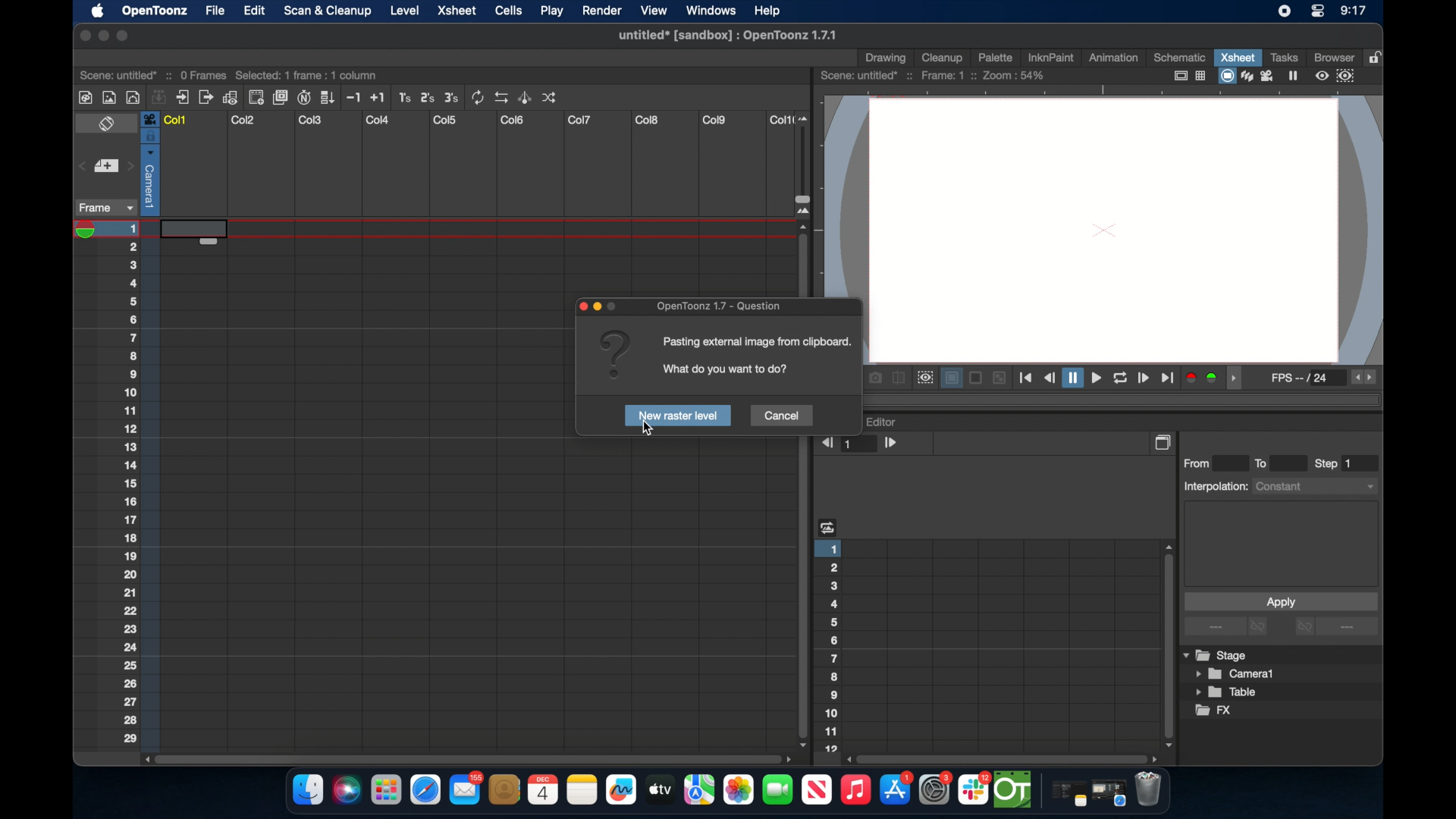 The width and height of the screenshot is (1456, 819). What do you see at coordinates (721, 306) in the screenshot?
I see `opentoonz - questoons` at bounding box center [721, 306].